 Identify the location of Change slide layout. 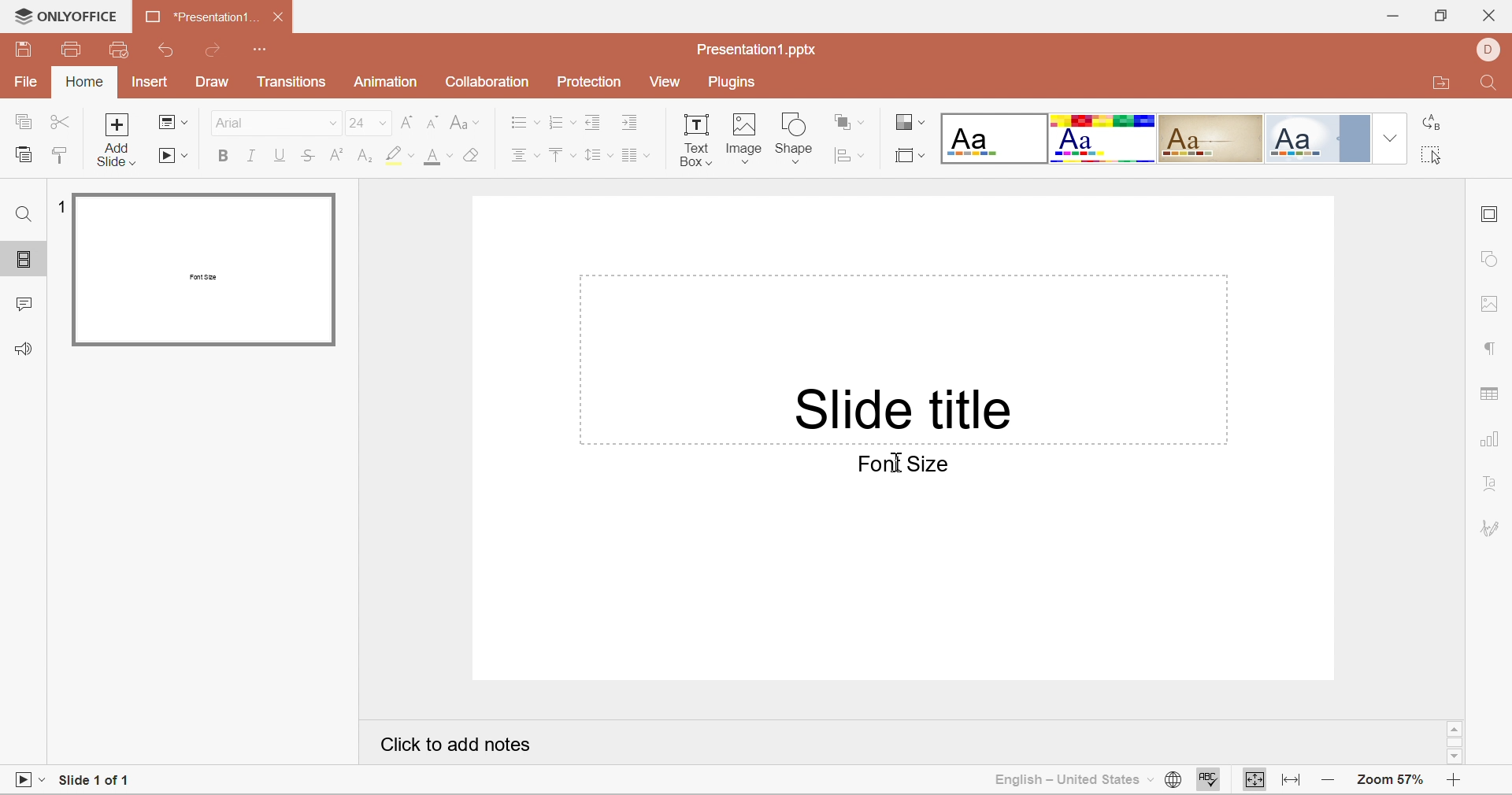
(173, 121).